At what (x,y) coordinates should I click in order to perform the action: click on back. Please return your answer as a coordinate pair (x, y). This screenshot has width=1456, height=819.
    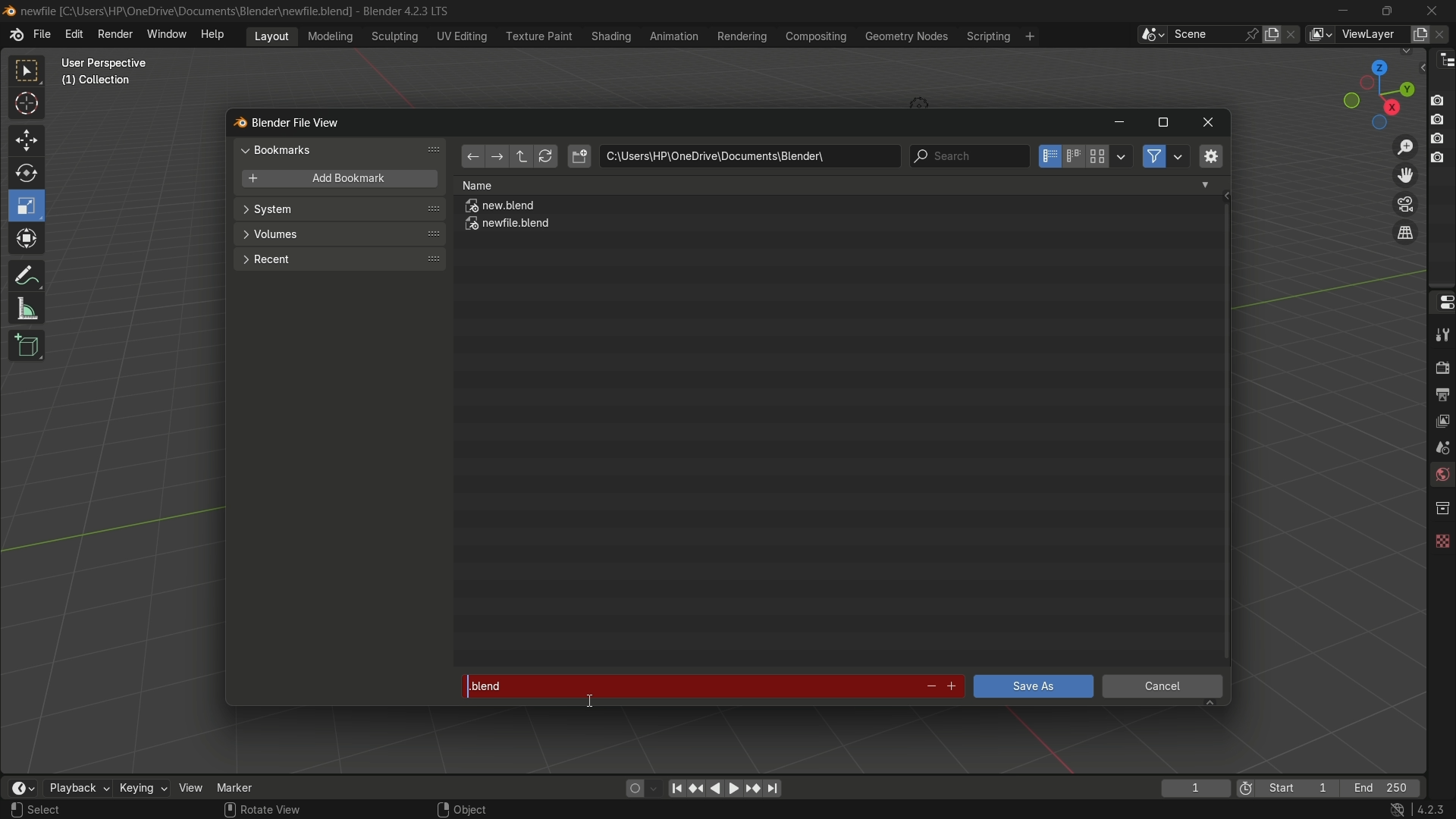
    Looking at the image, I should click on (472, 158).